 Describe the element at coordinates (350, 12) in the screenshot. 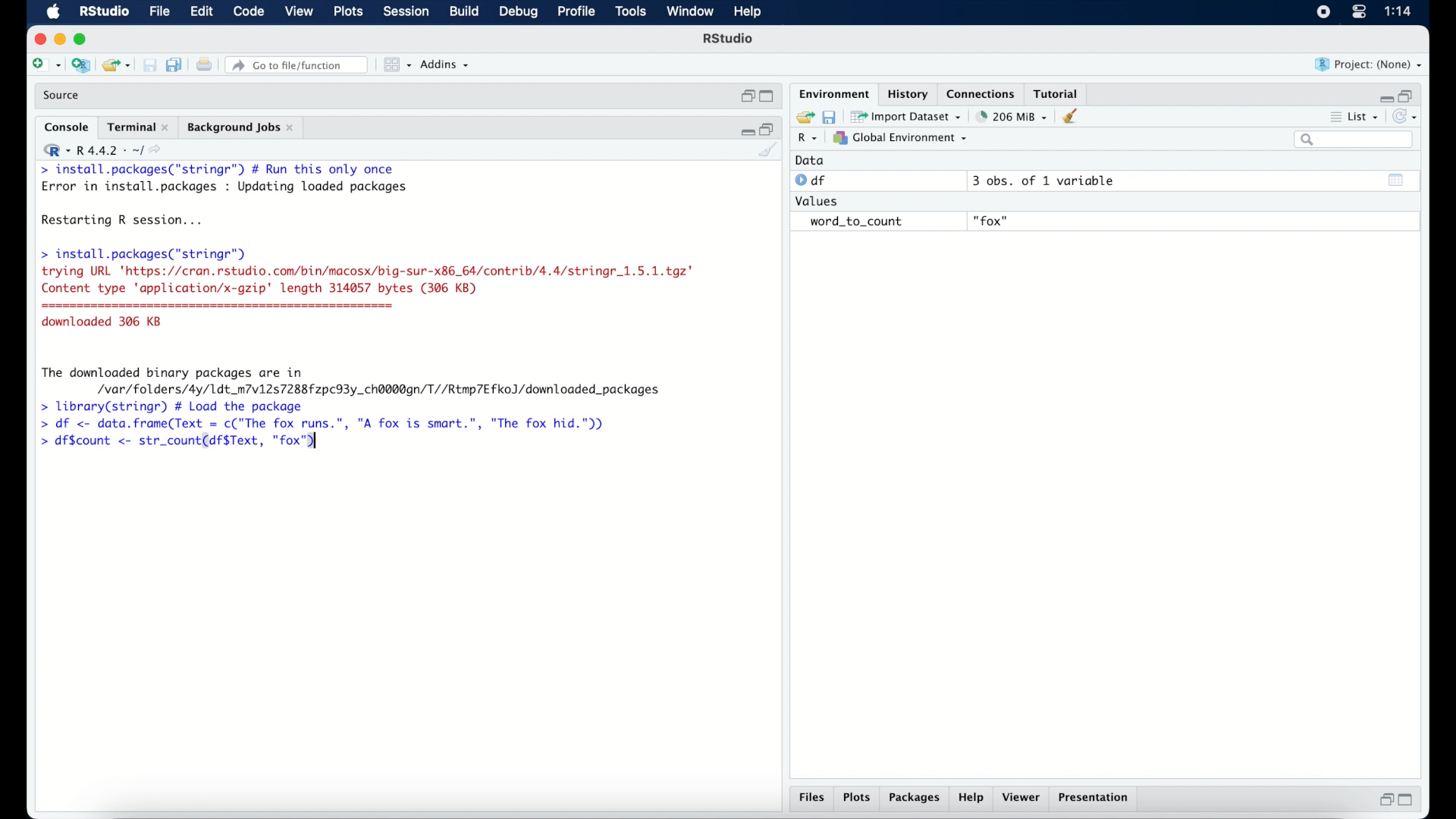

I see `plots` at that location.